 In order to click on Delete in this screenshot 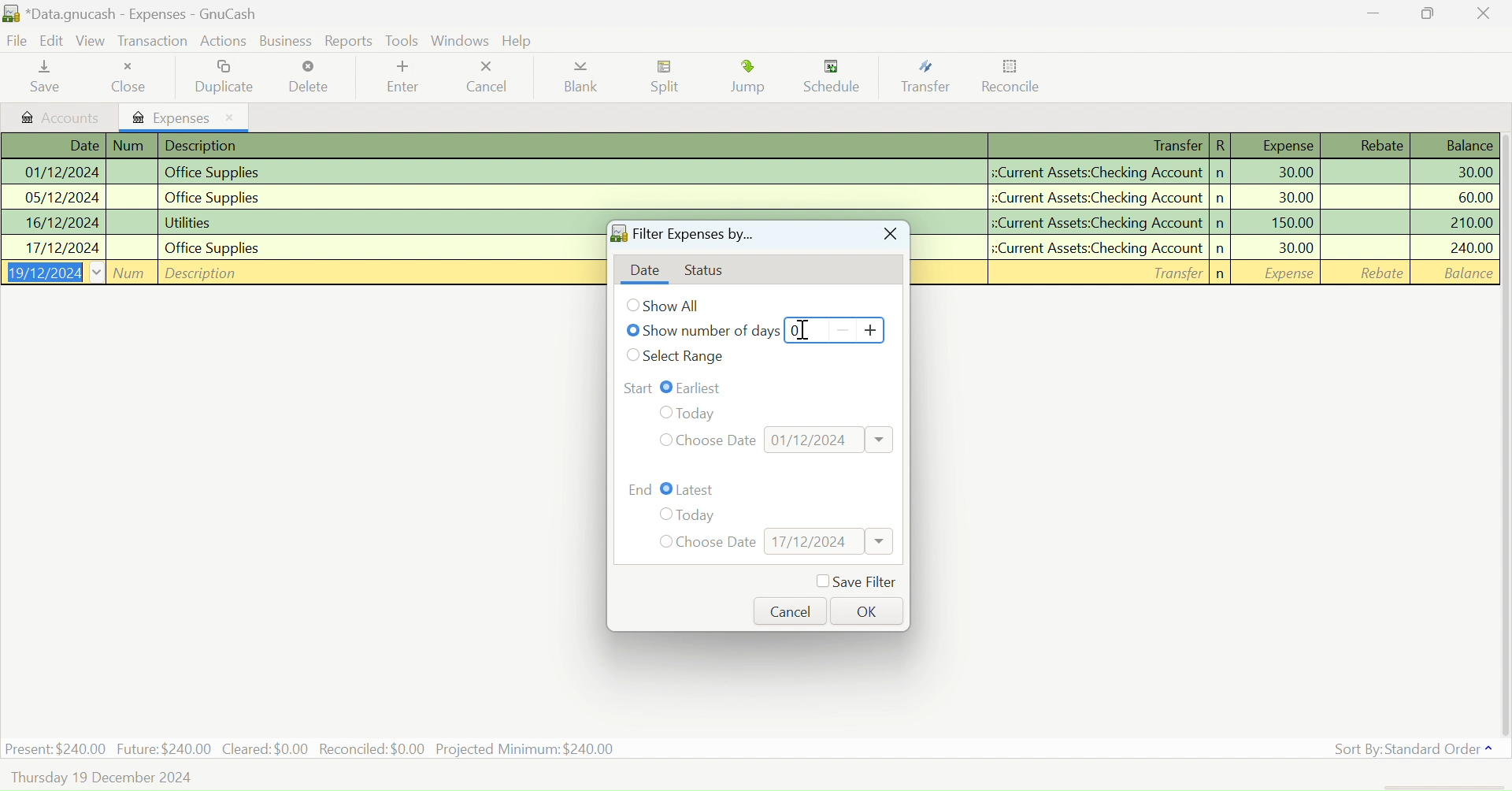, I will do `click(309, 77)`.